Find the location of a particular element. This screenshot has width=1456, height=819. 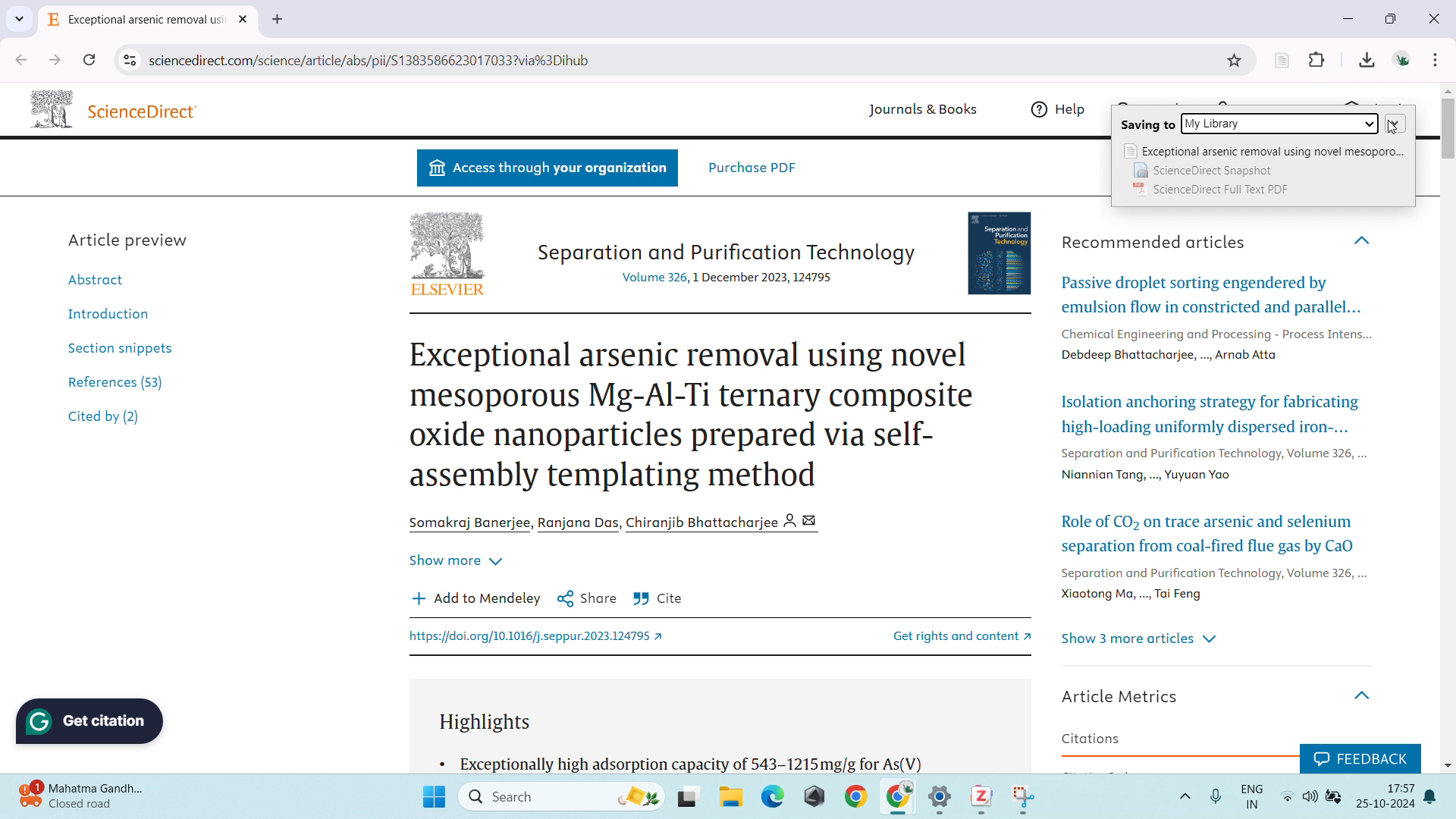

Chemical Engineering and Processing - process Intens Debdeep Bhattacharjee,..., Arnab Atta is located at coordinates (1213, 343).